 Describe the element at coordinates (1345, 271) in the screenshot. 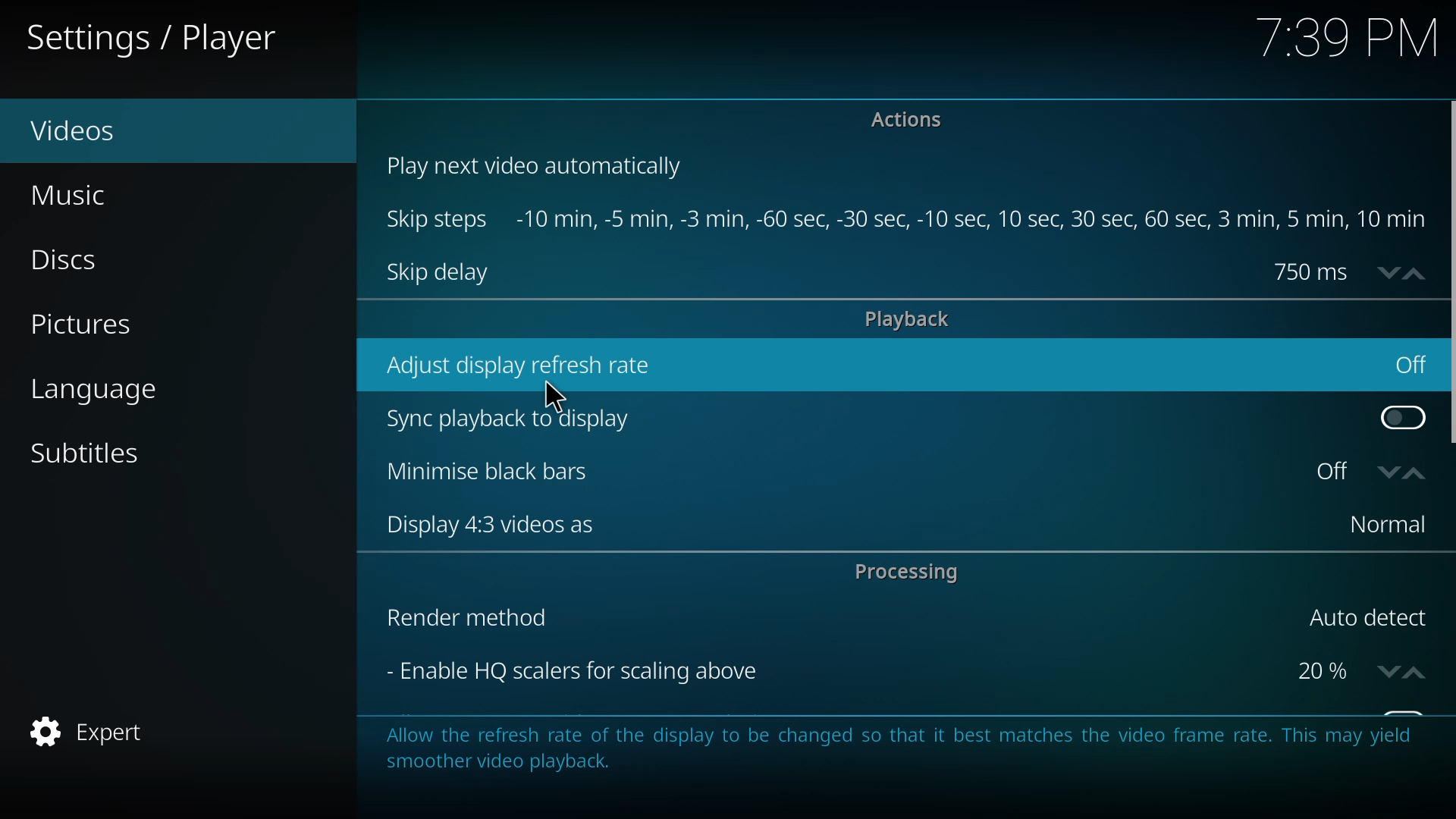

I see `delay select` at that location.